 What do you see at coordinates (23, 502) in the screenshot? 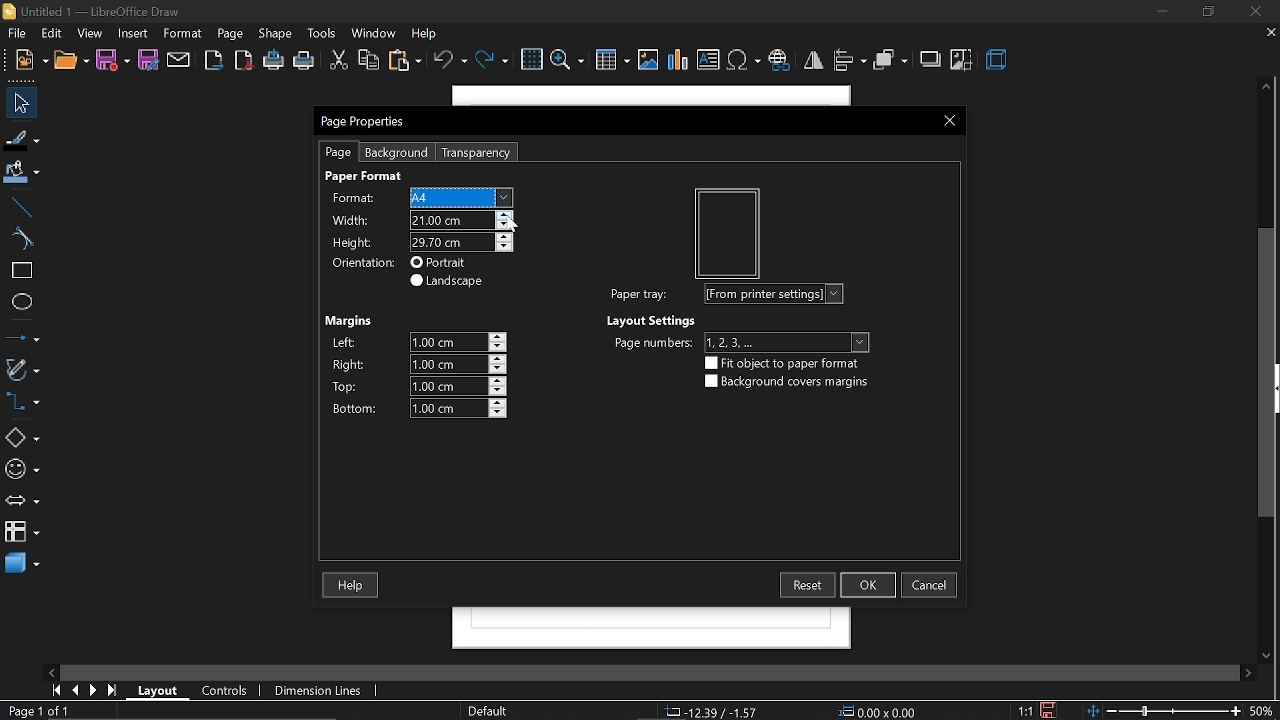
I see `arrows` at bounding box center [23, 502].